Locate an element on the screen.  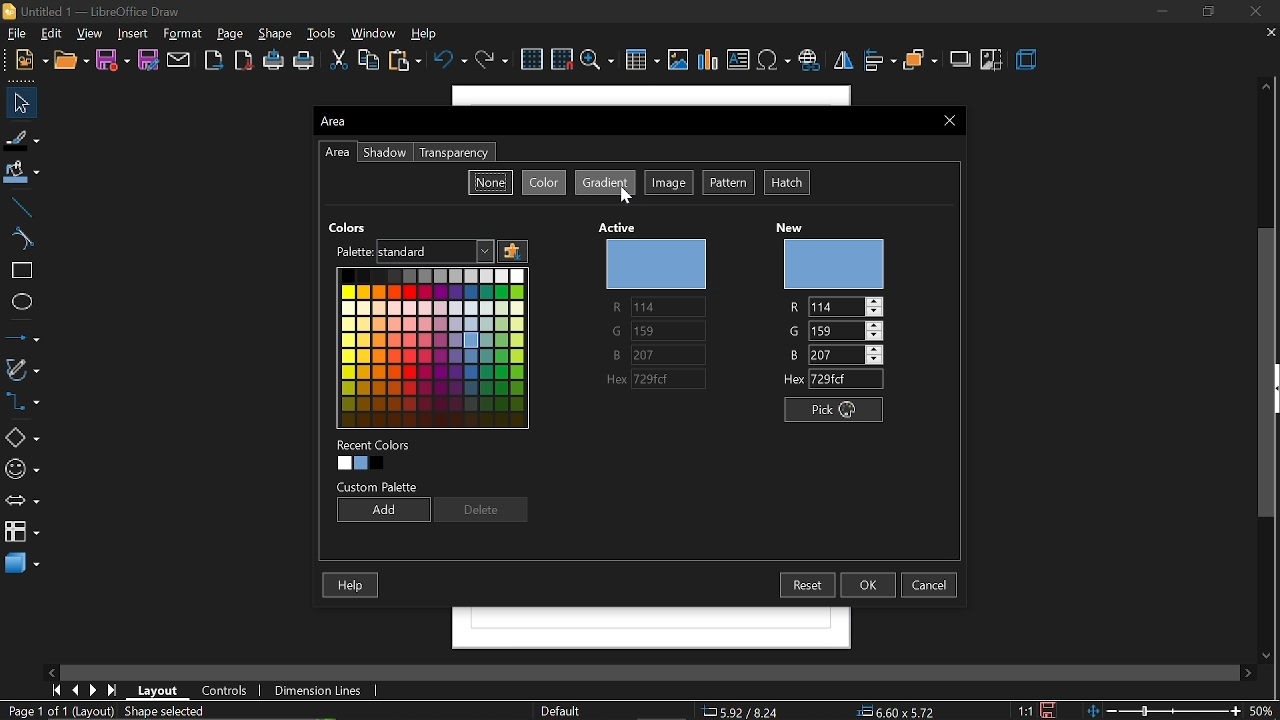
help is located at coordinates (430, 34).